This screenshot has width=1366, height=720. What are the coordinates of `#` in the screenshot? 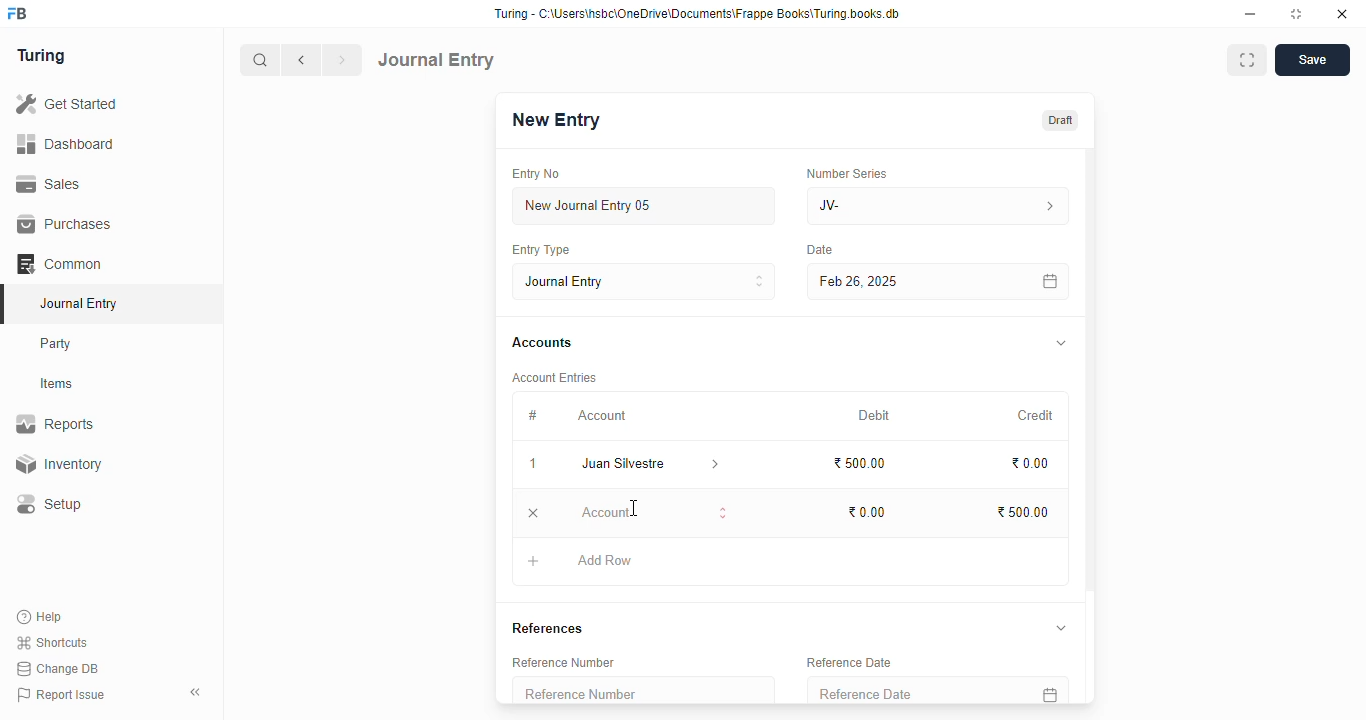 It's located at (533, 415).